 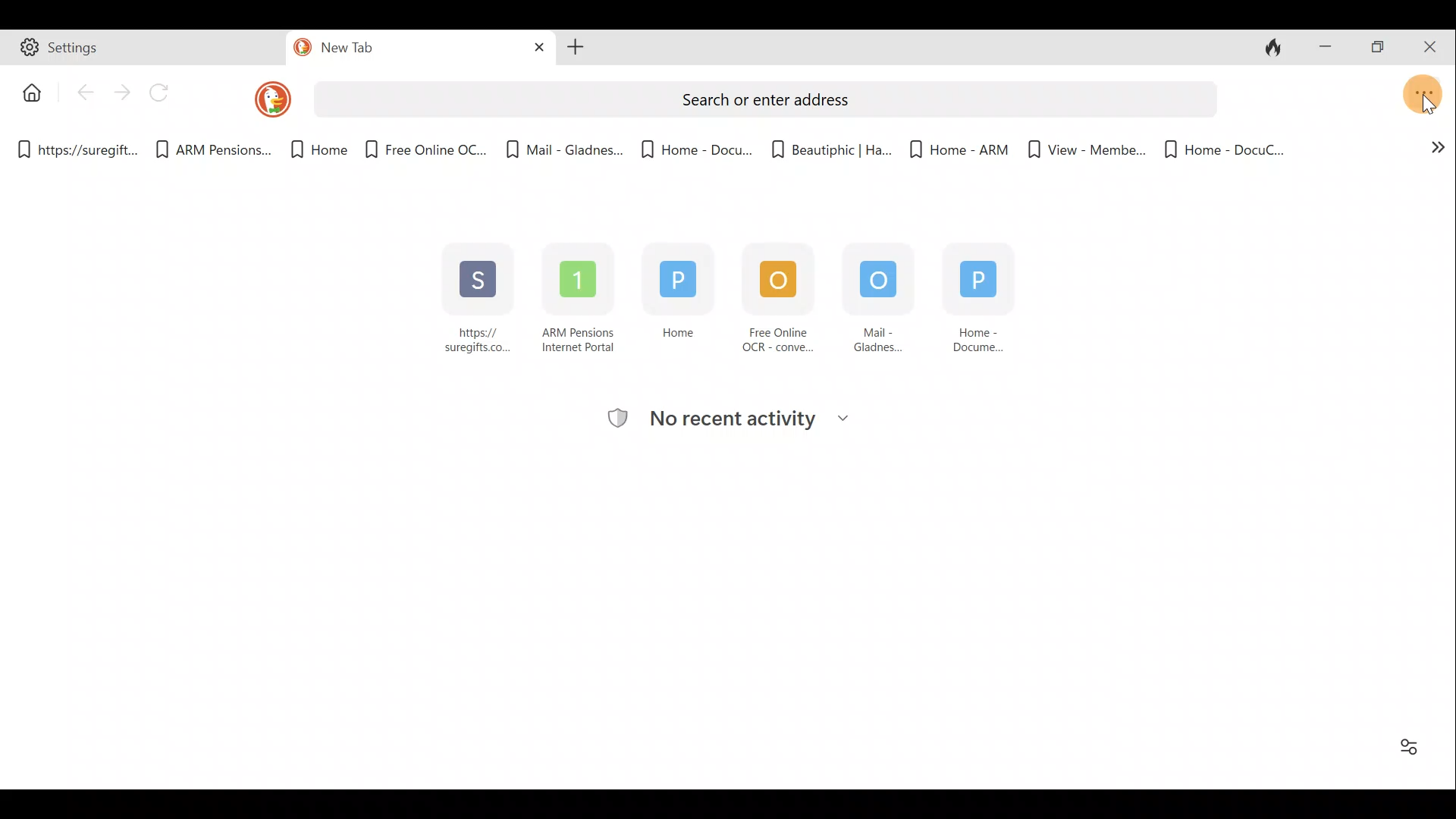 What do you see at coordinates (767, 99) in the screenshot?
I see `Search bar` at bounding box center [767, 99].